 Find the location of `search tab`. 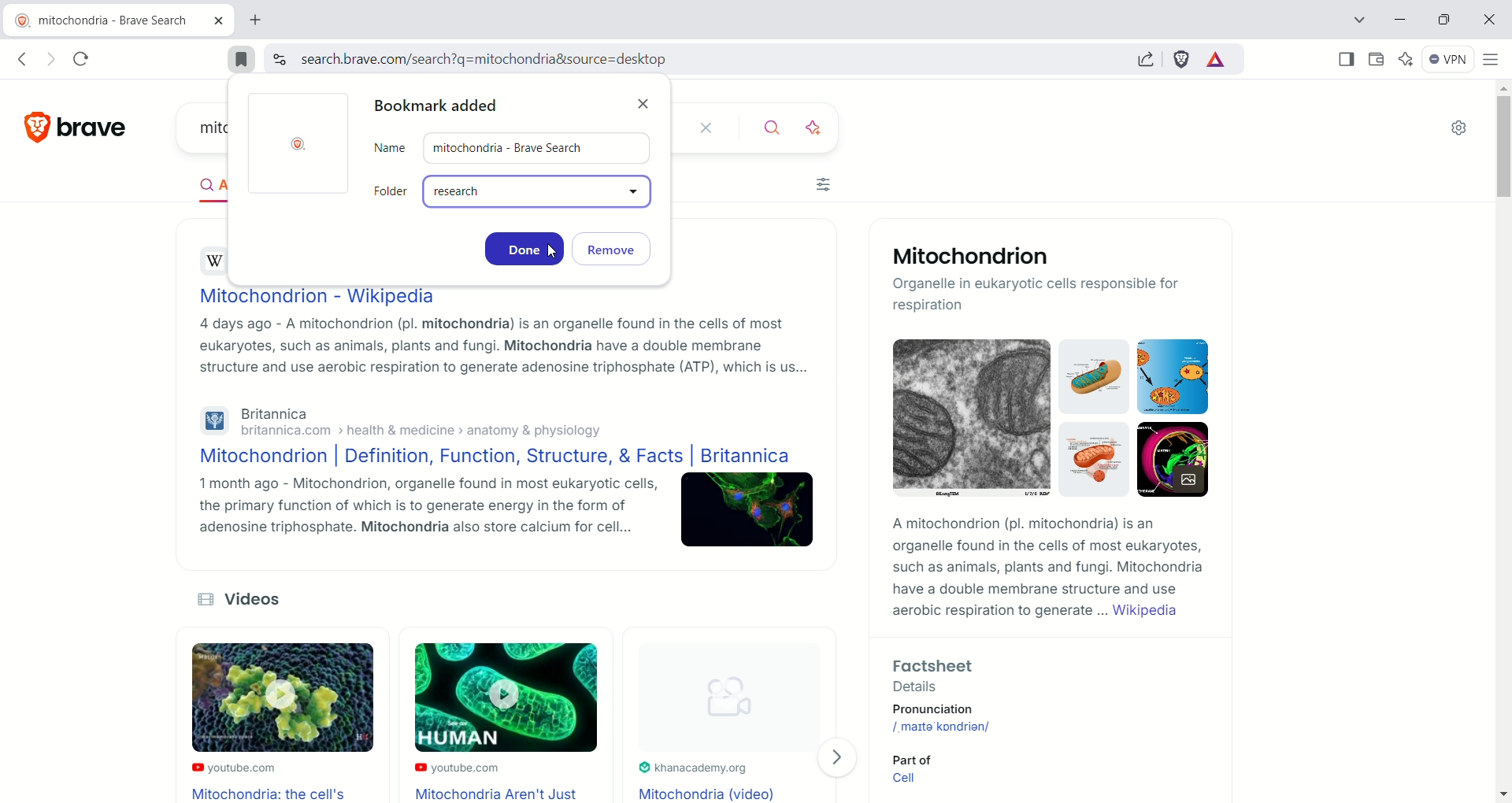

search tab is located at coordinates (1353, 22).